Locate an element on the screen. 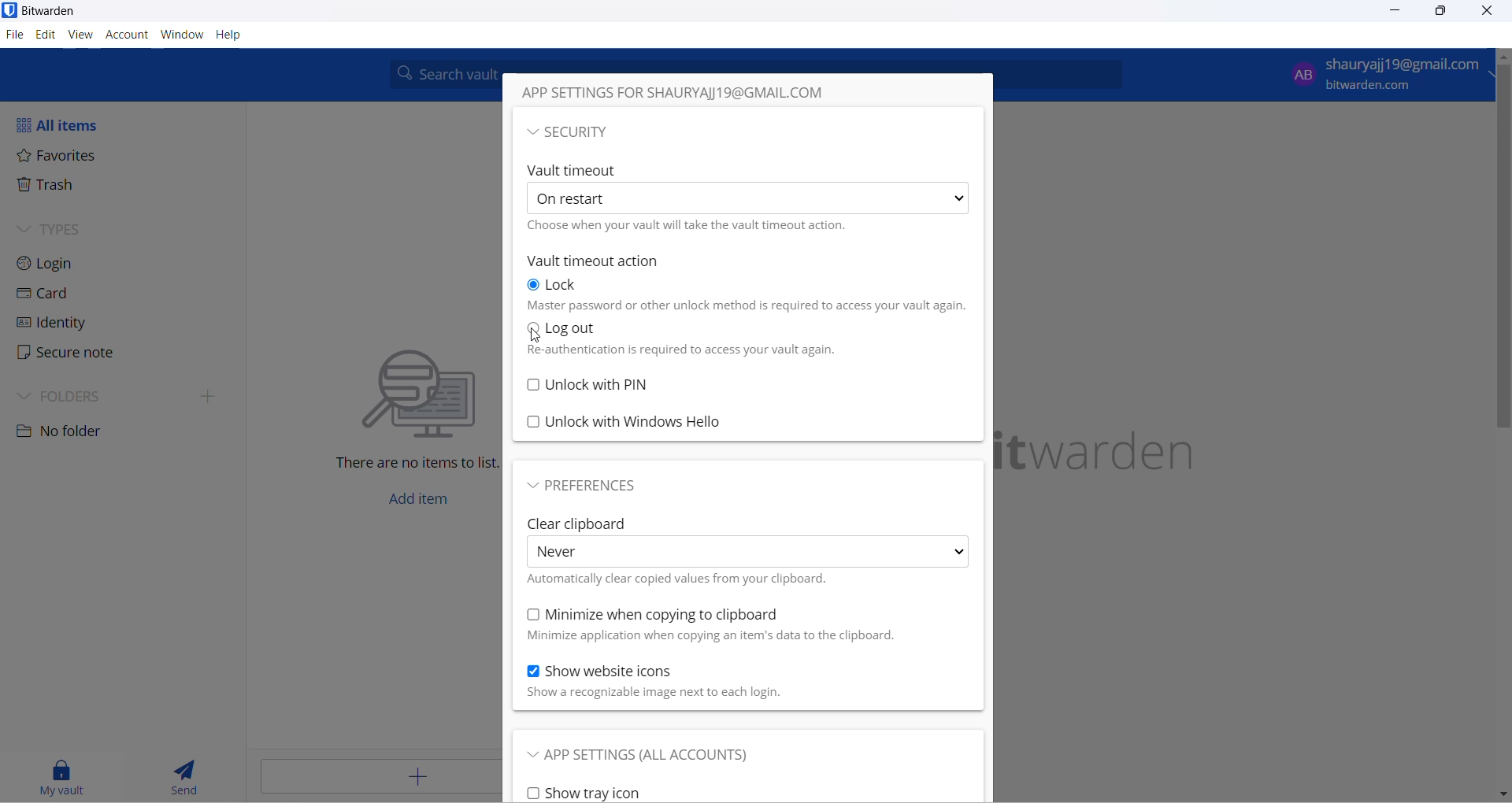 This screenshot has width=1512, height=803. text is located at coordinates (695, 228).